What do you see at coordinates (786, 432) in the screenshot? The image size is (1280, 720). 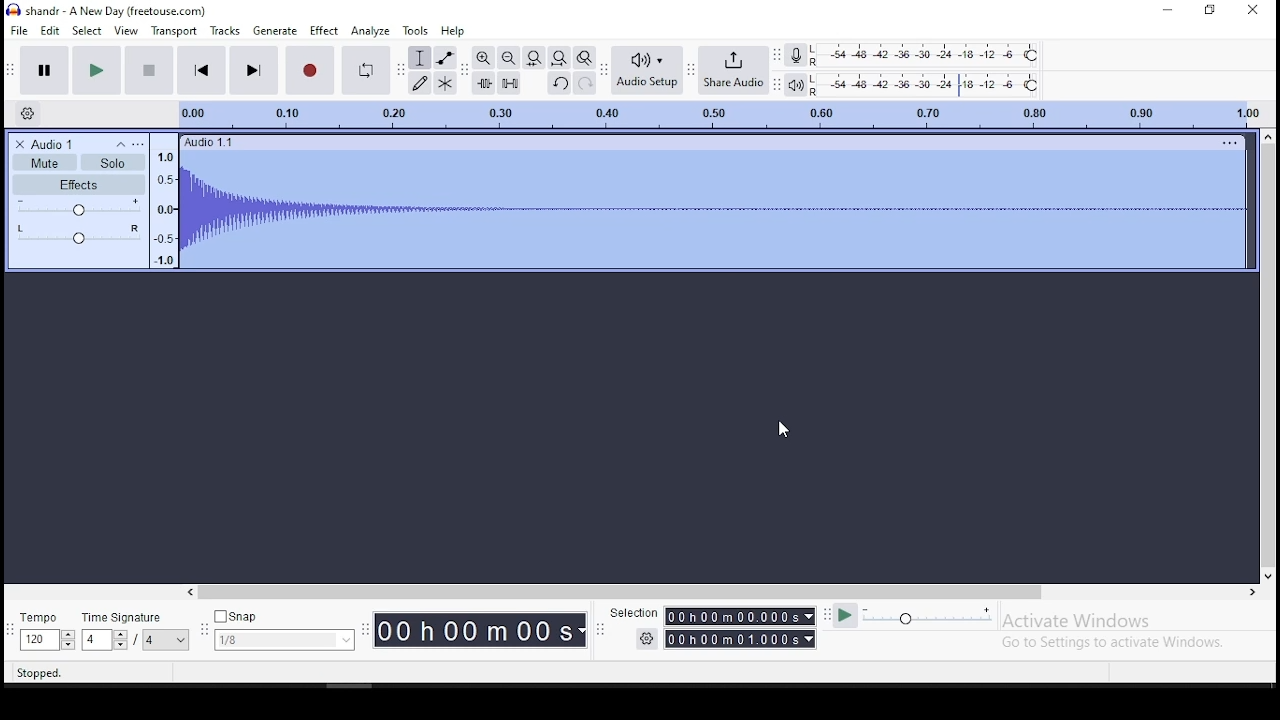 I see `mouse pointer` at bounding box center [786, 432].